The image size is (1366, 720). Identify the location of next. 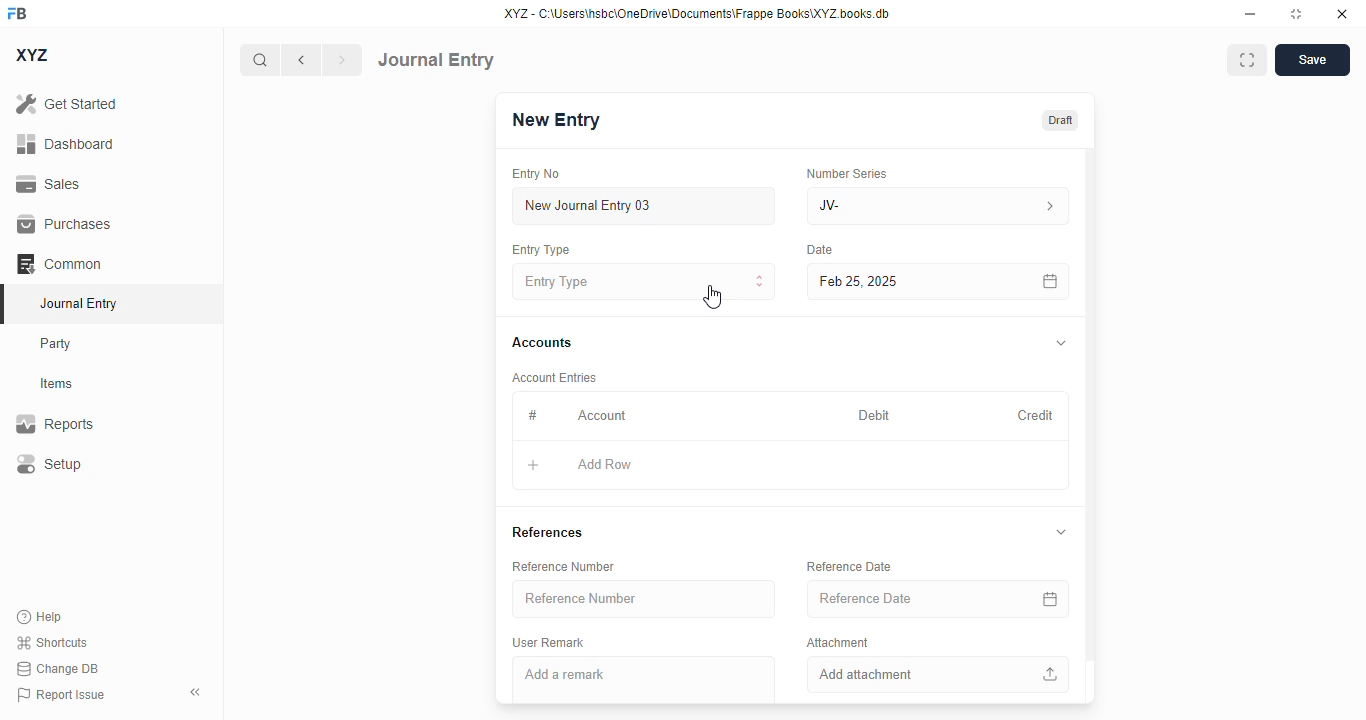
(343, 60).